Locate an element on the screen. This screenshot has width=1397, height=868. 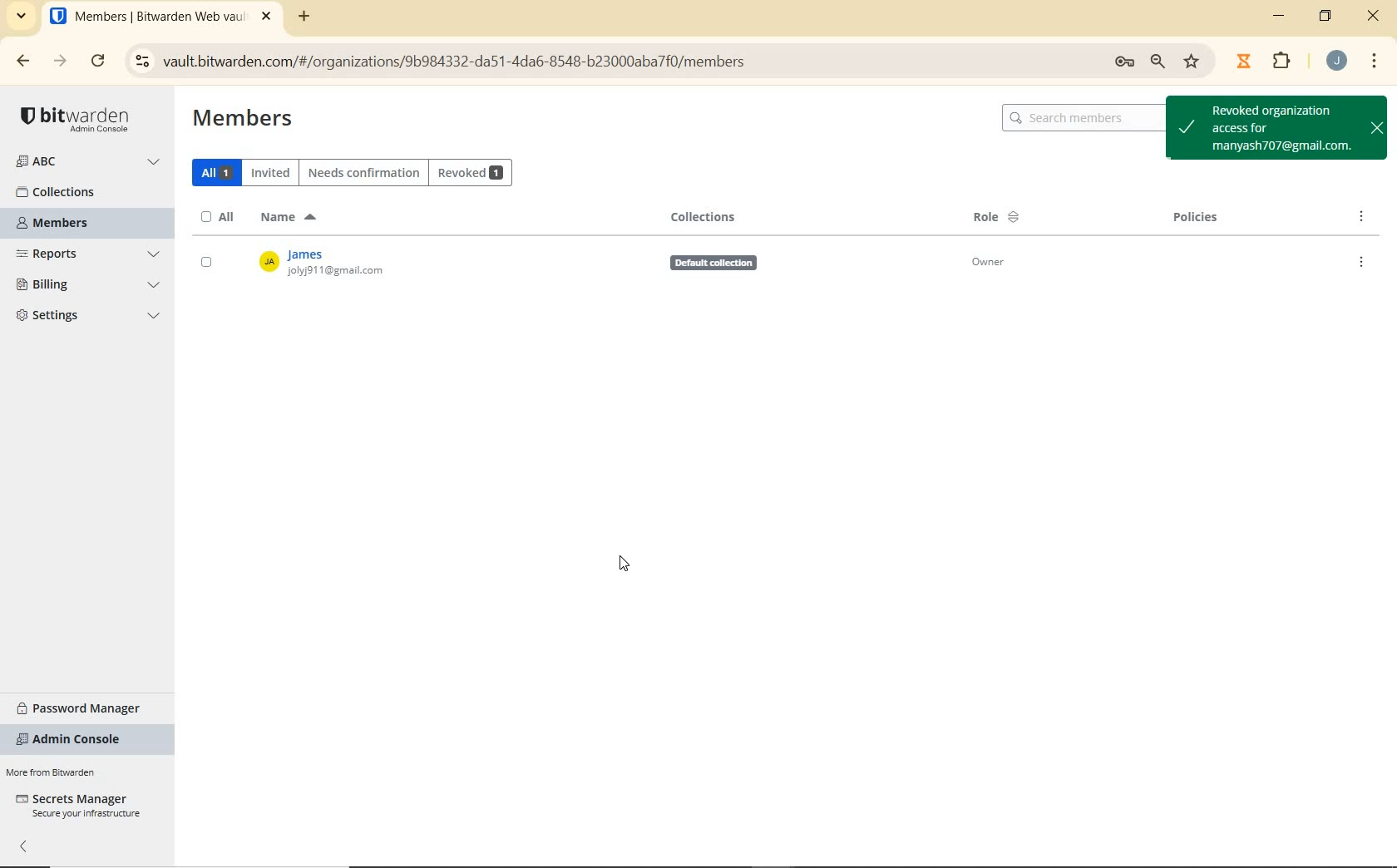
Defauit collection is located at coordinates (725, 262).